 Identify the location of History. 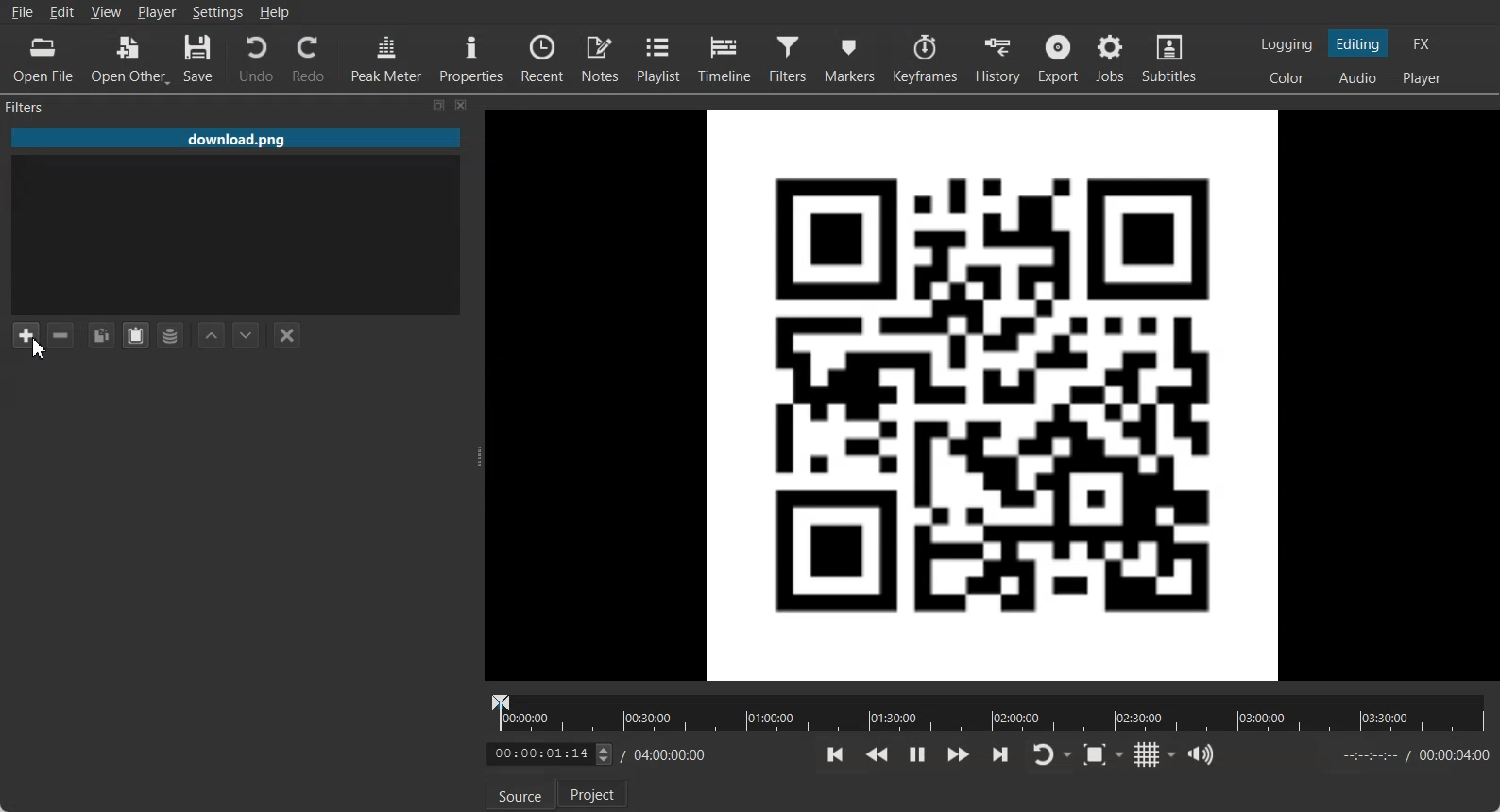
(1000, 59).